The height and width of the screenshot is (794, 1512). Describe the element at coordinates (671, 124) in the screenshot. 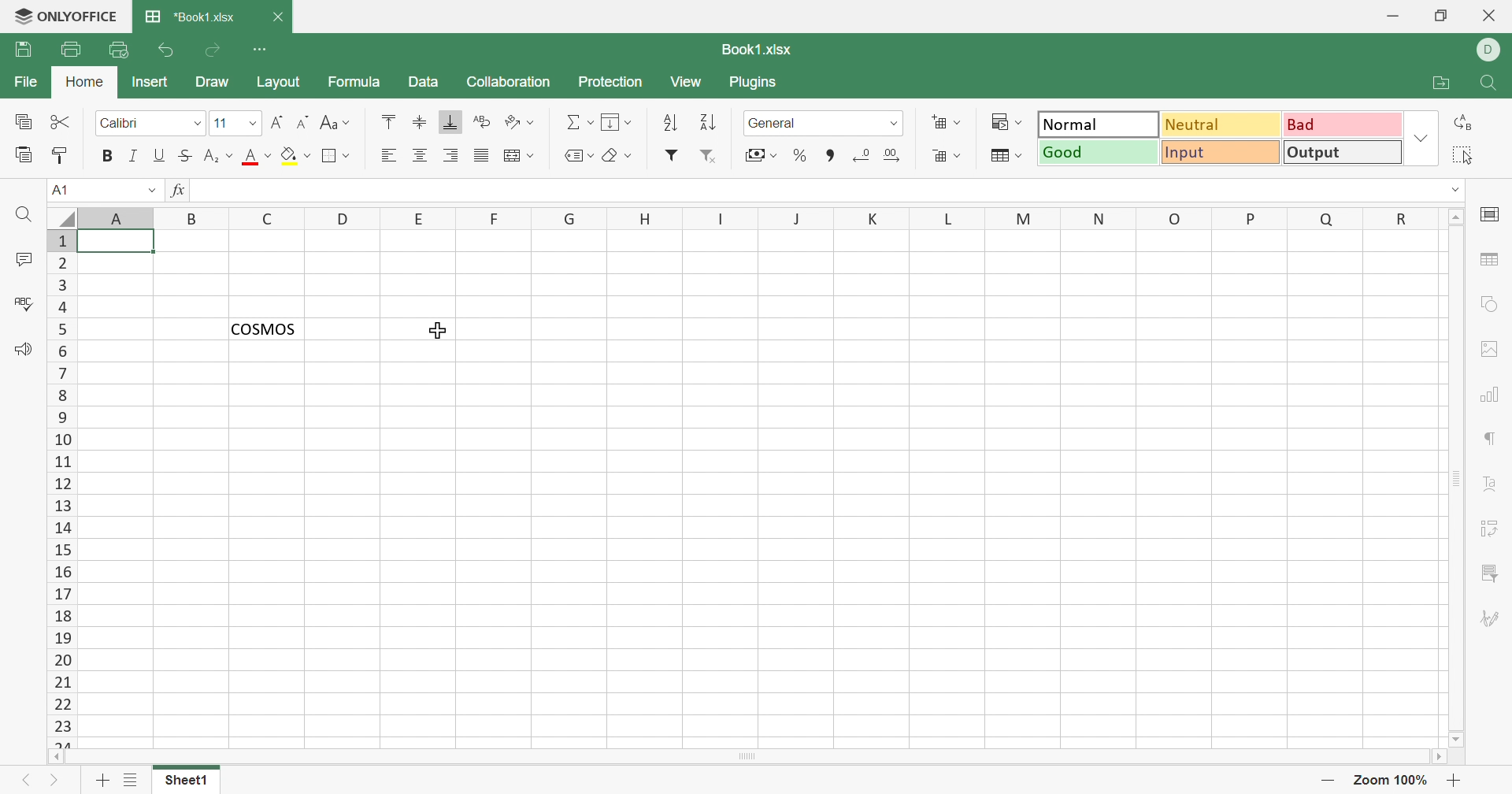

I see `Sort ascending` at that location.